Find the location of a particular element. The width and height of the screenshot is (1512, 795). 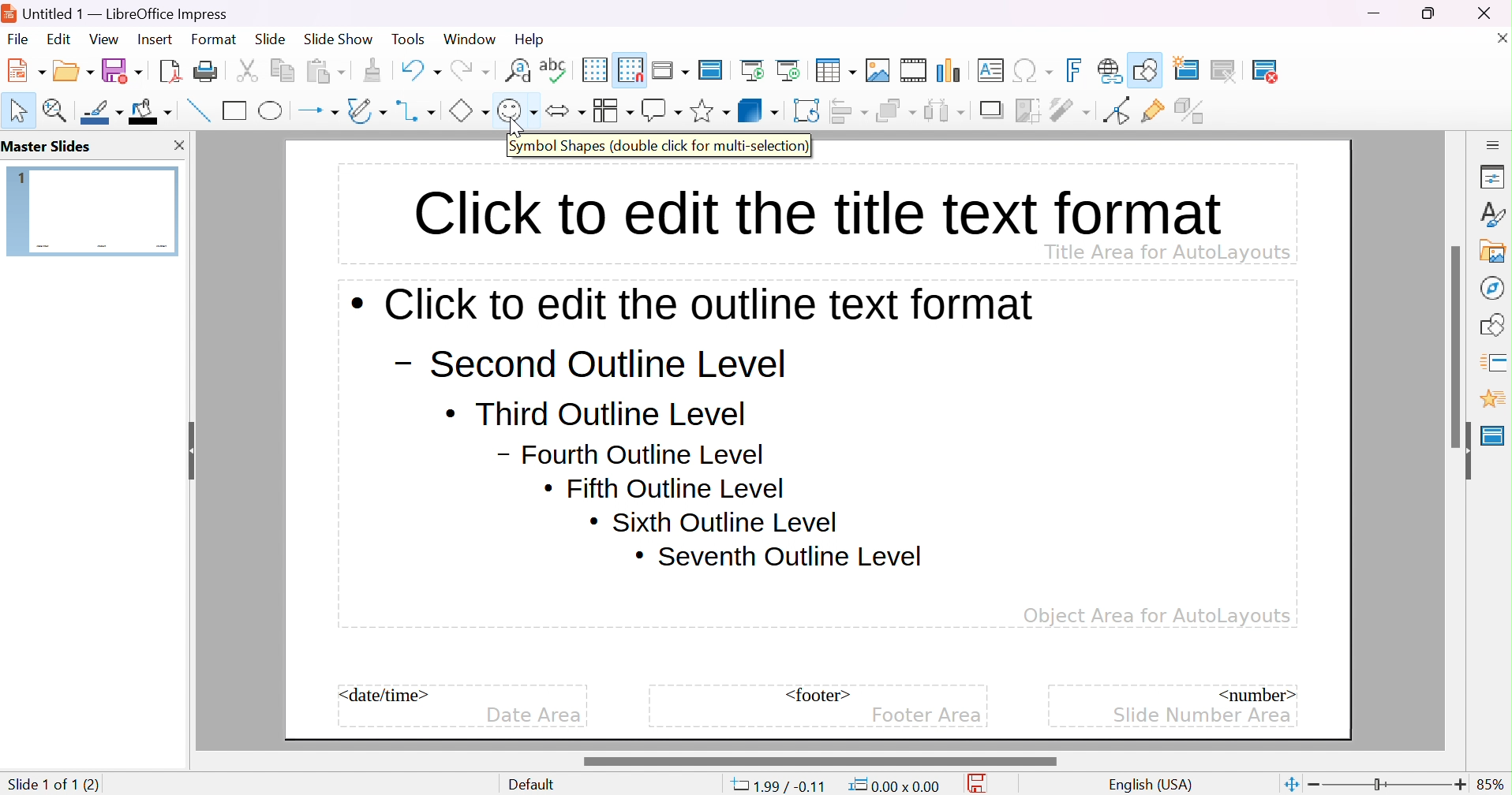

85% is located at coordinates (1491, 784).